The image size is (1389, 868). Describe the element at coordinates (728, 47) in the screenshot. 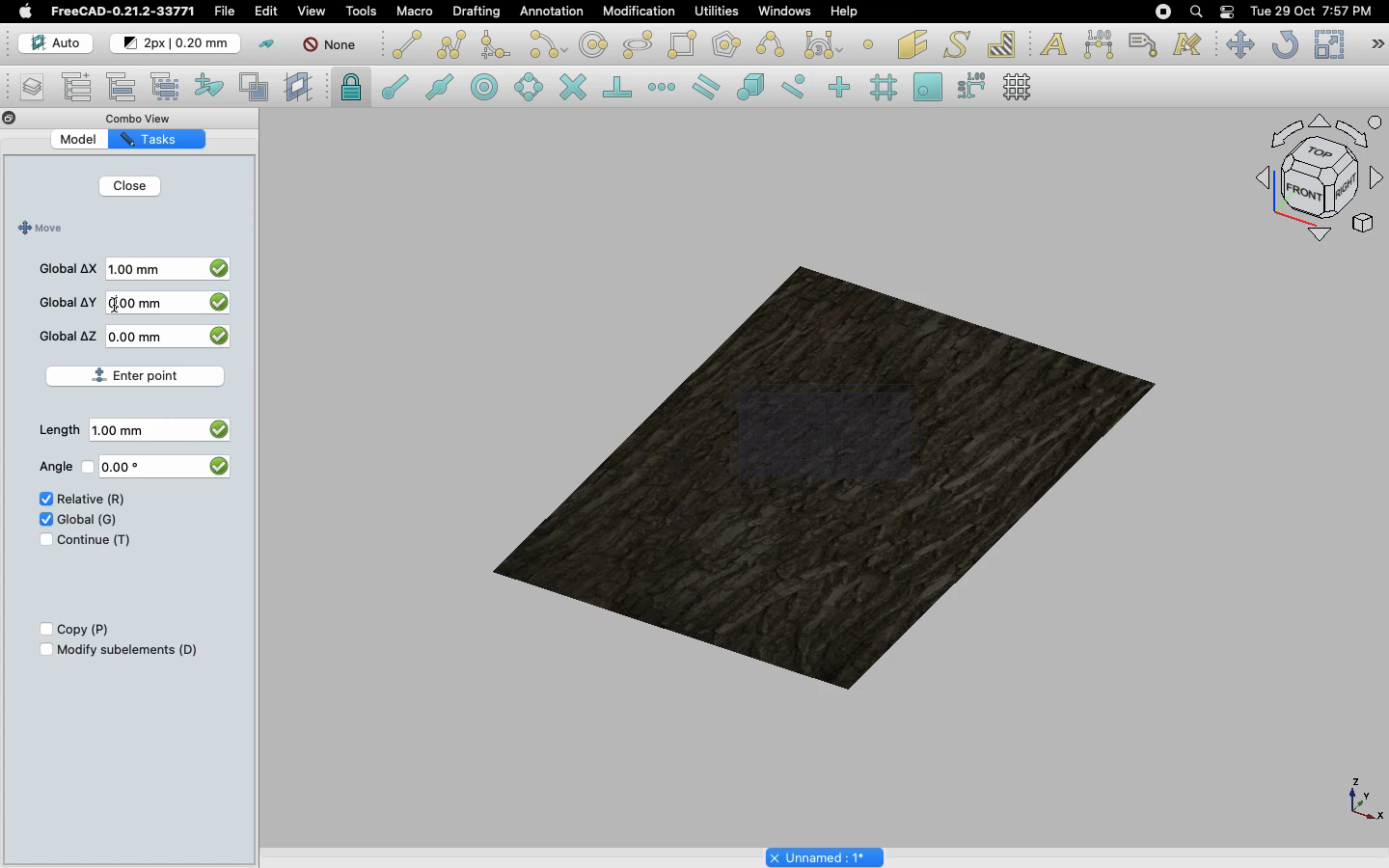

I see `Polygon` at that location.